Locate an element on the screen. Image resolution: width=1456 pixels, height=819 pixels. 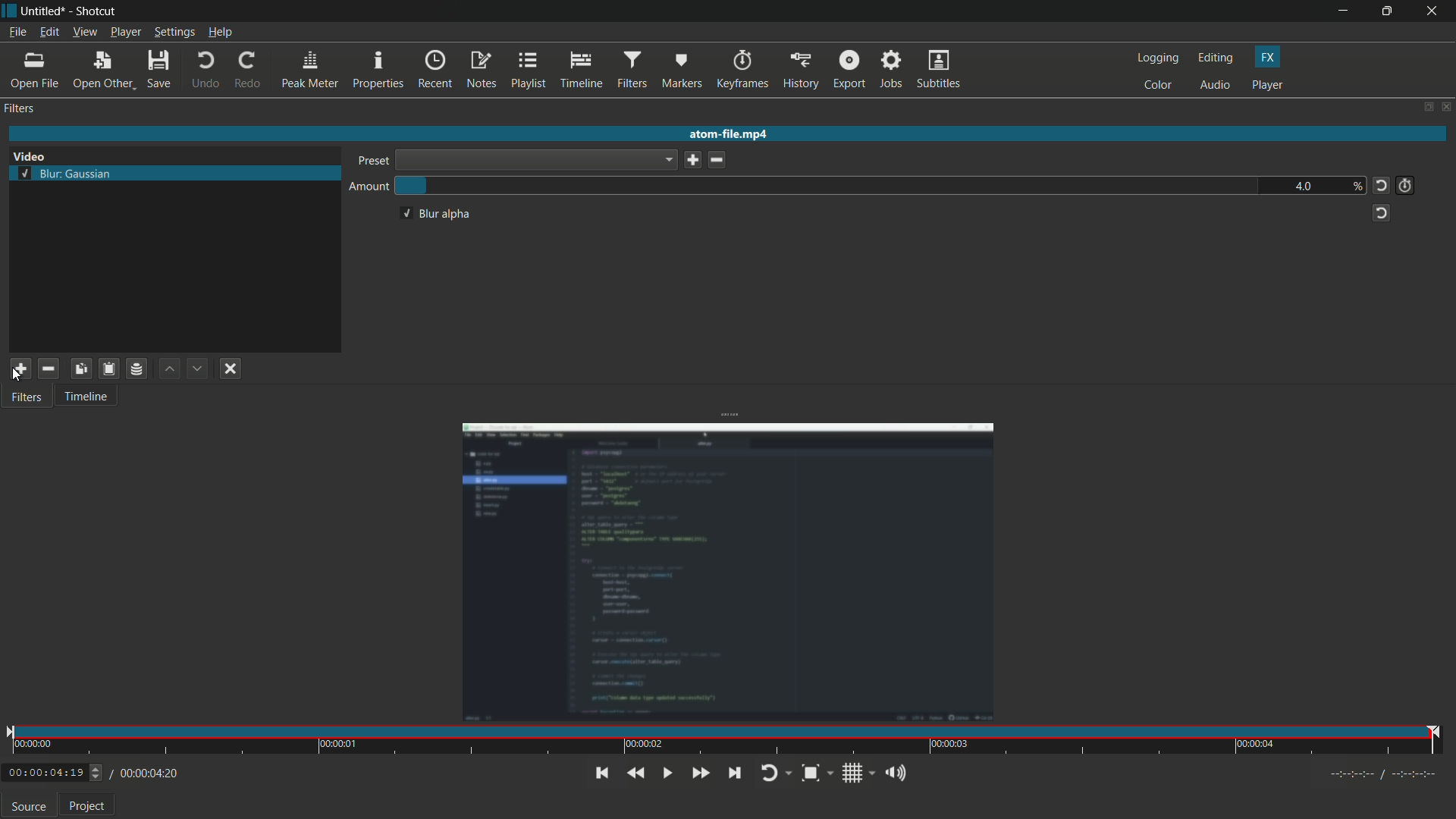
reset to default is located at coordinates (1382, 186).